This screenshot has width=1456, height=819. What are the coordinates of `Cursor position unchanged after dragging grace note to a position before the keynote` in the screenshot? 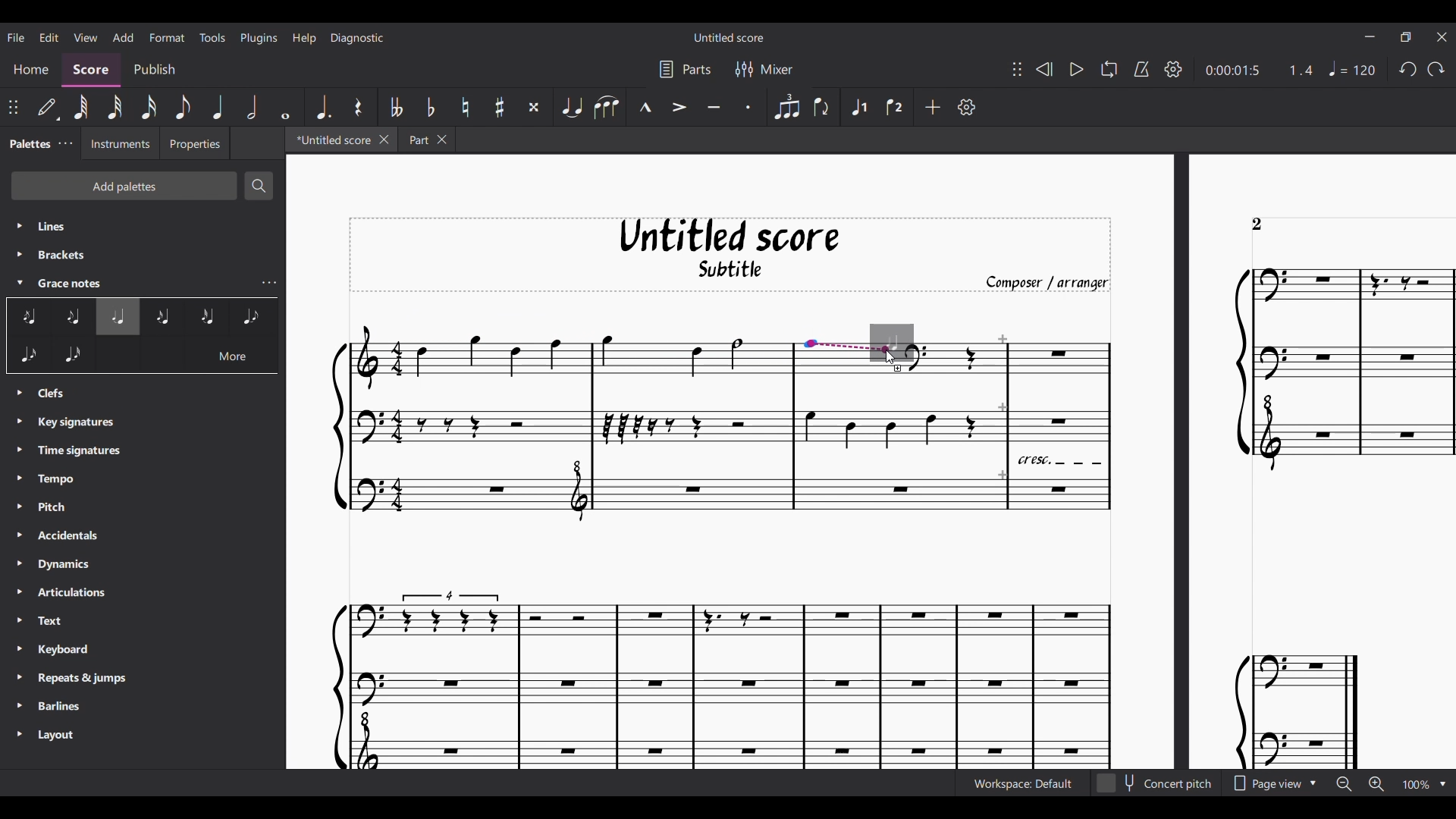 It's located at (891, 357).